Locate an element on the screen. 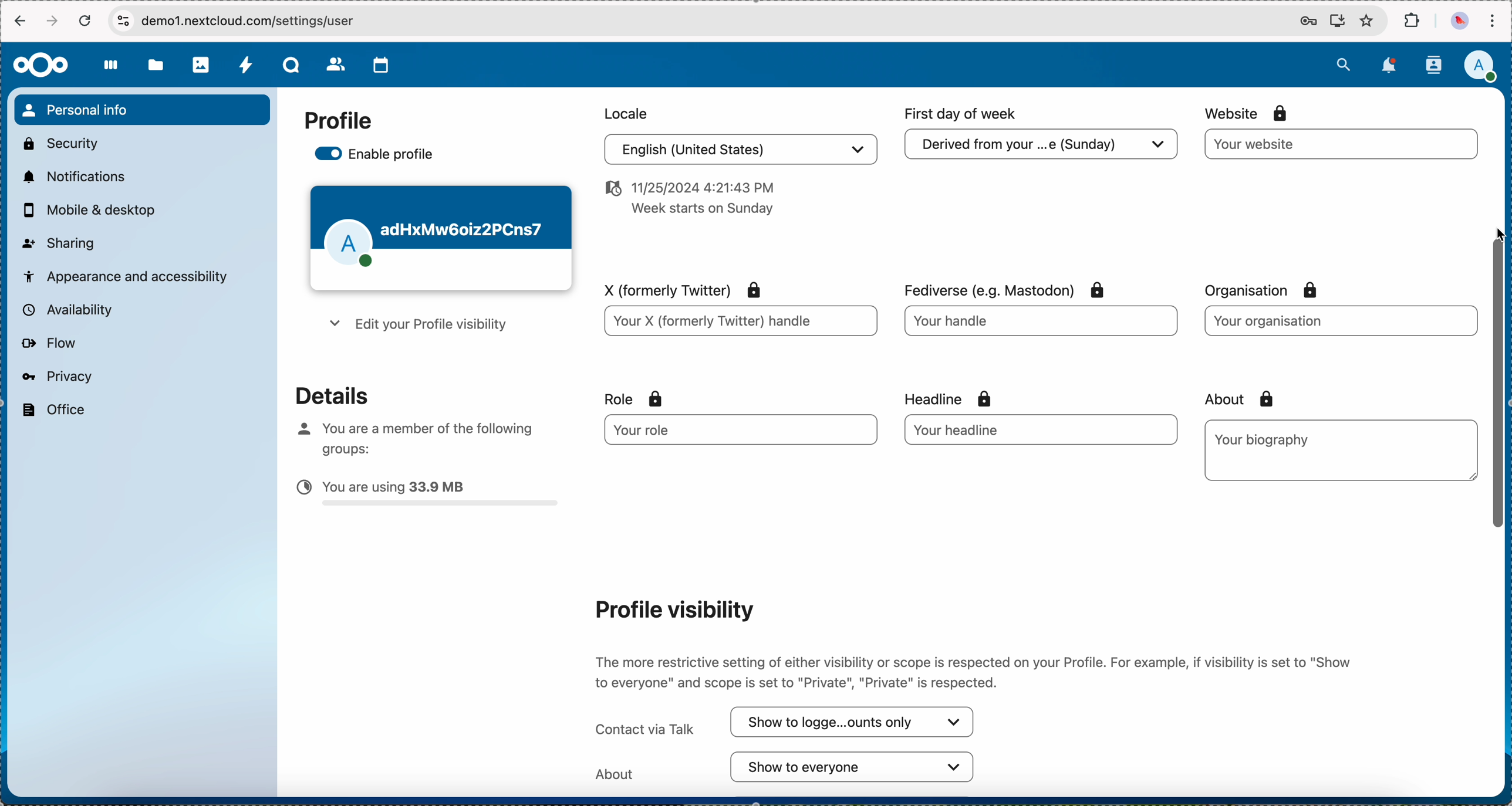  fediverse is located at coordinates (1001, 286).